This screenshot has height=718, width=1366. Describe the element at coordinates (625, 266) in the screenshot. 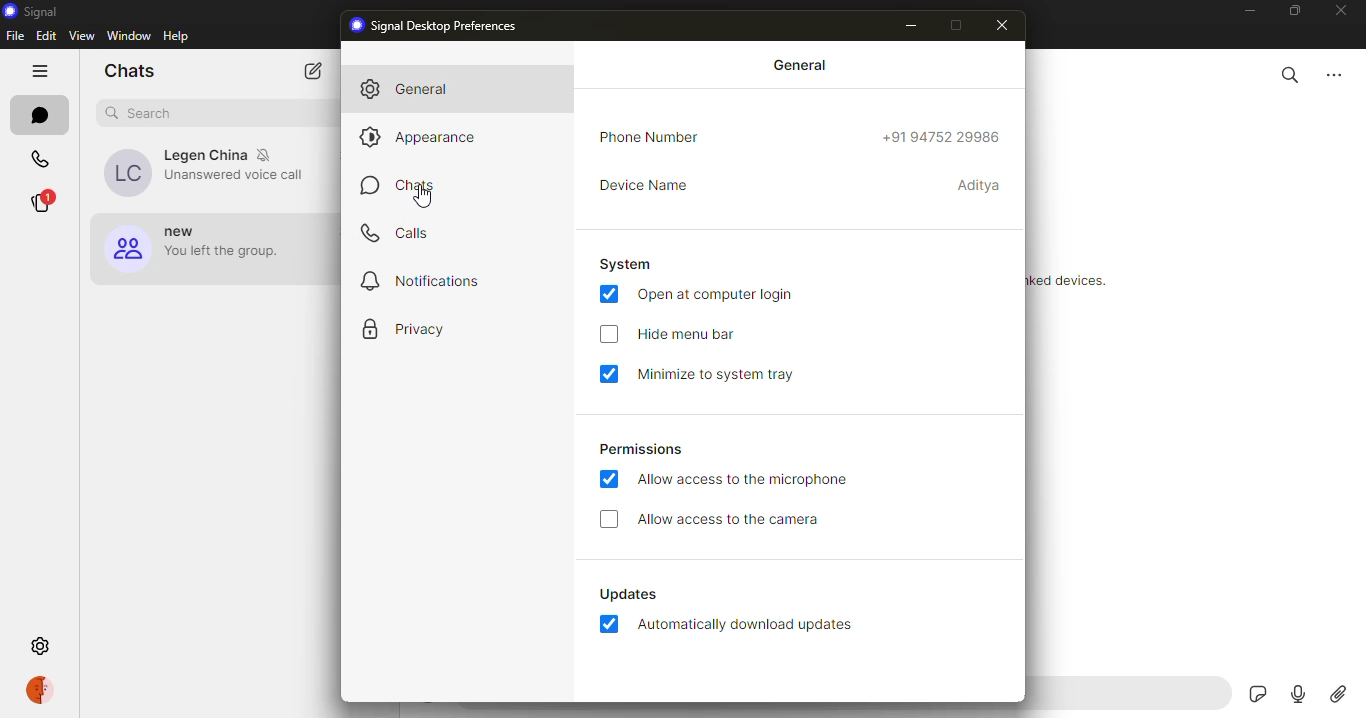

I see `system` at that location.